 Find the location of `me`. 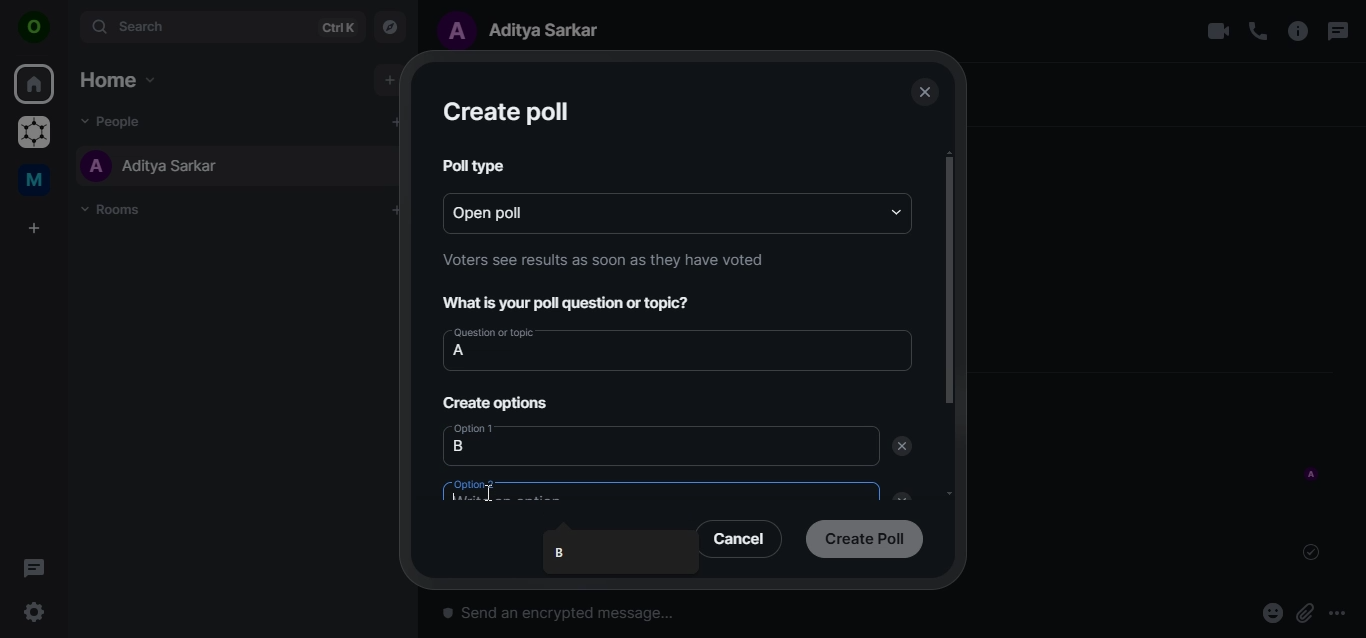

me is located at coordinates (37, 183).